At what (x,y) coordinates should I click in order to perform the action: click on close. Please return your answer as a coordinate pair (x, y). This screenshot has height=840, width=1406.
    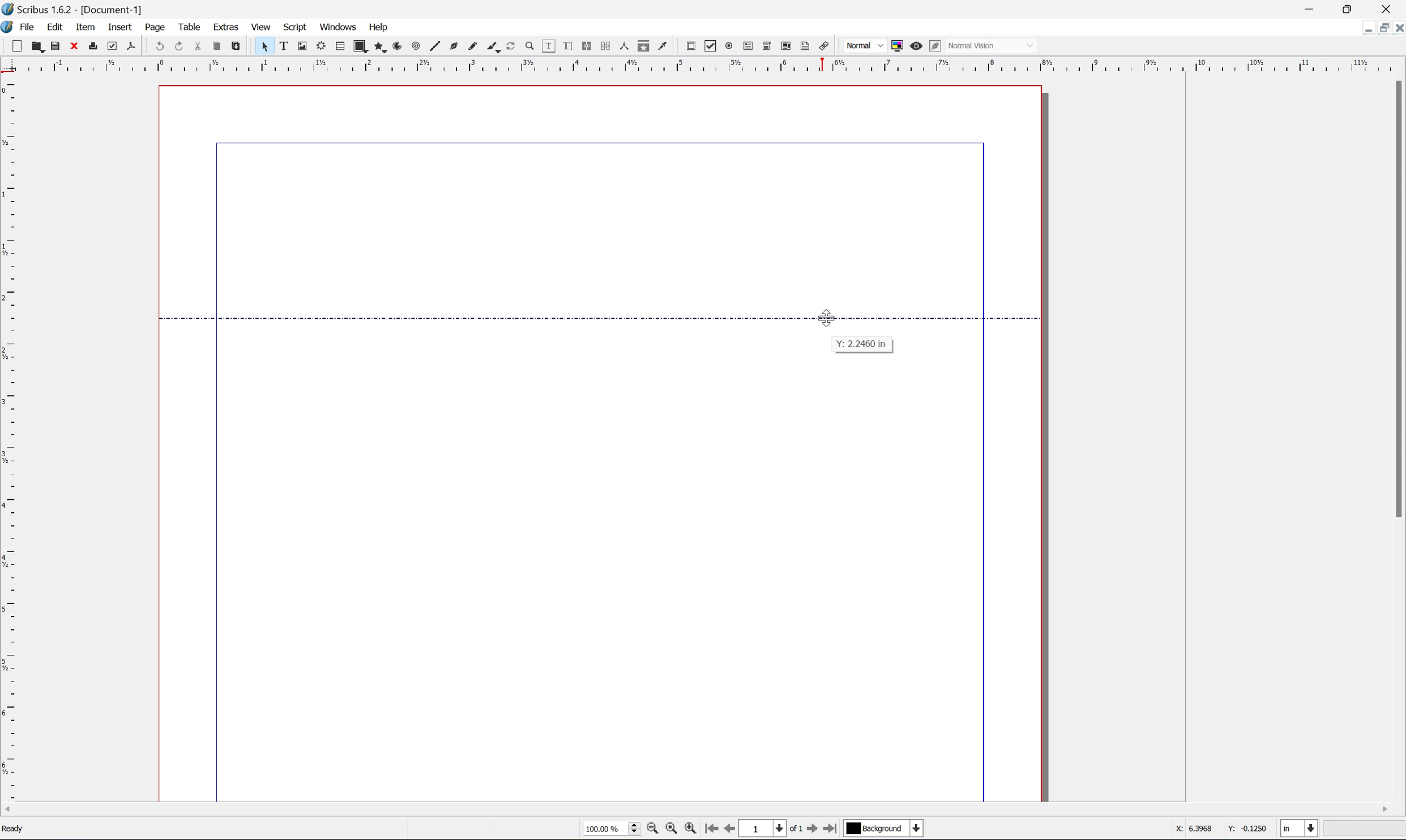
    Looking at the image, I should click on (73, 46).